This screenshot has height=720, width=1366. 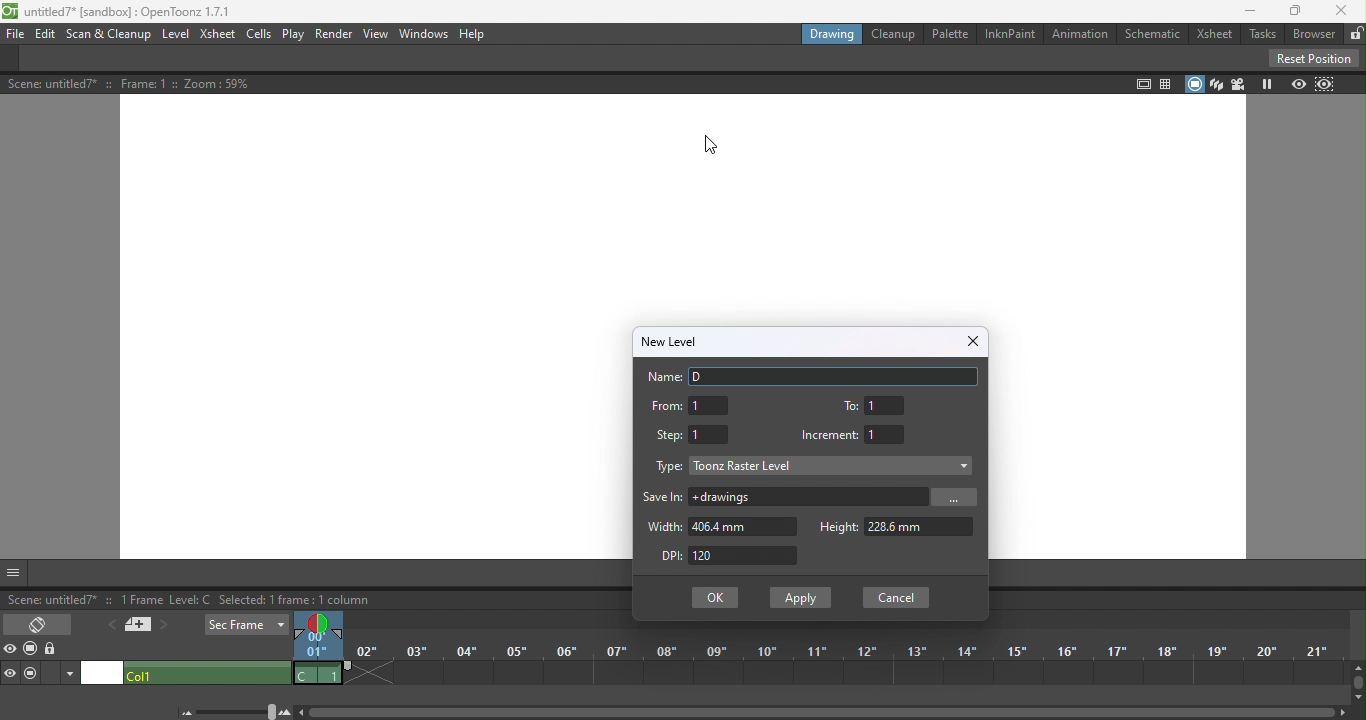 What do you see at coordinates (247, 626) in the screenshot?
I see `Sec Frame` at bounding box center [247, 626].